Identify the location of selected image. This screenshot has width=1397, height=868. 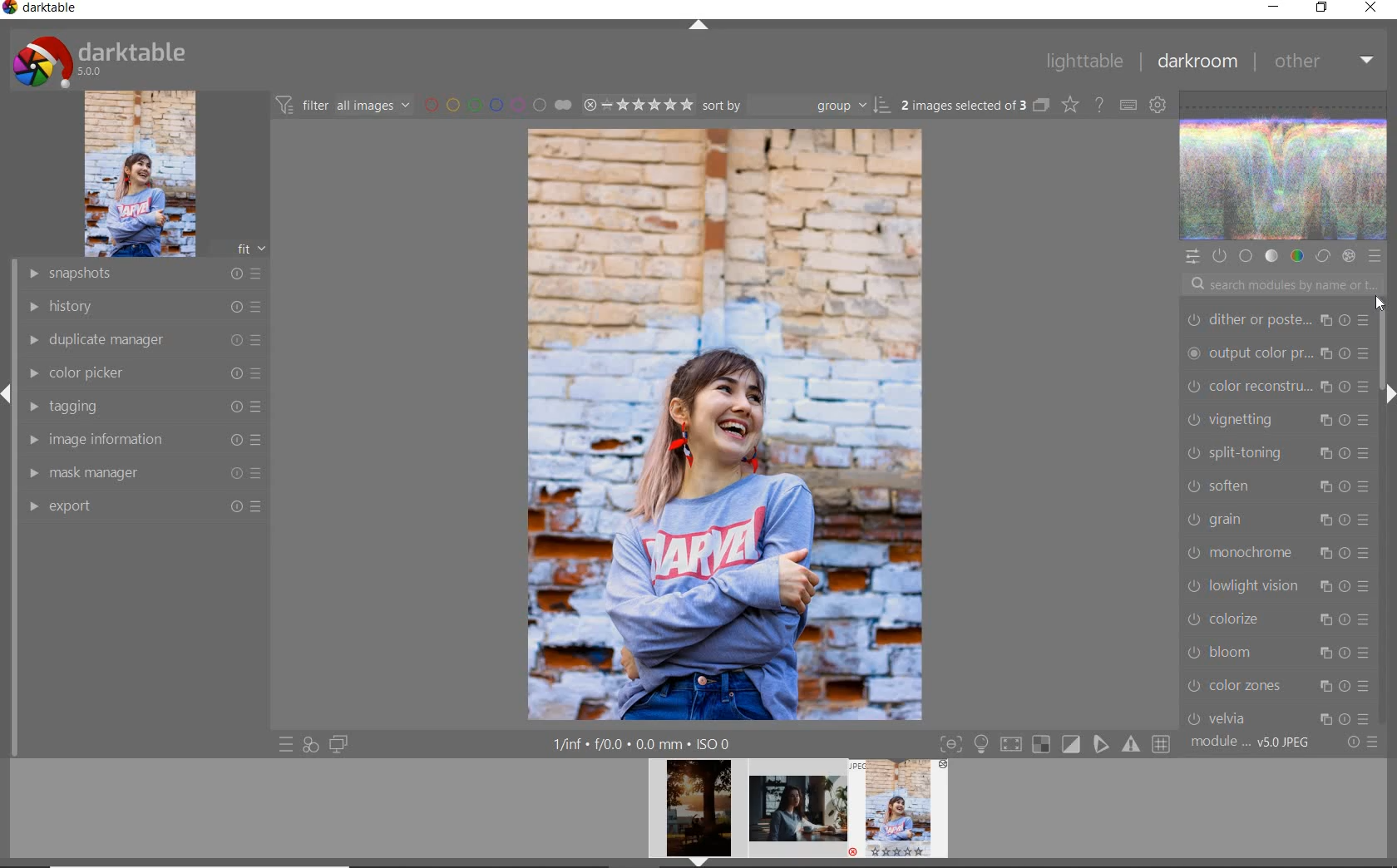
(726, 422).